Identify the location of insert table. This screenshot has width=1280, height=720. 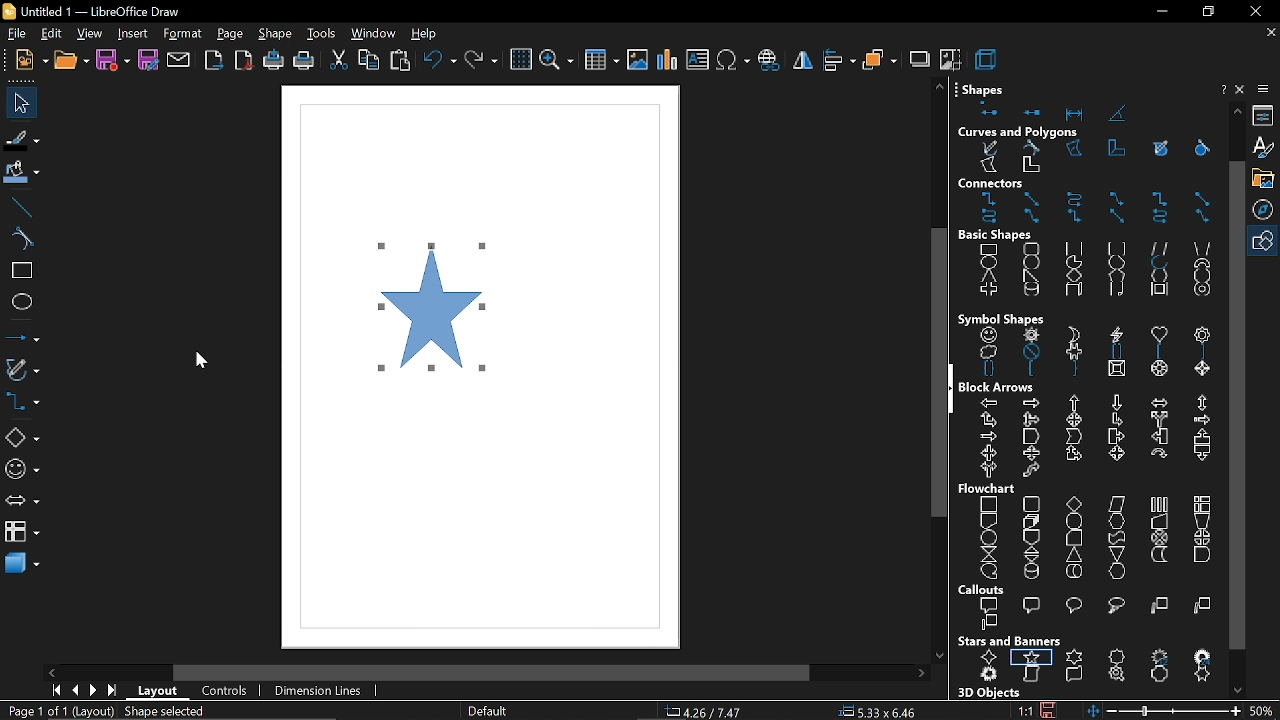
(602, 58).